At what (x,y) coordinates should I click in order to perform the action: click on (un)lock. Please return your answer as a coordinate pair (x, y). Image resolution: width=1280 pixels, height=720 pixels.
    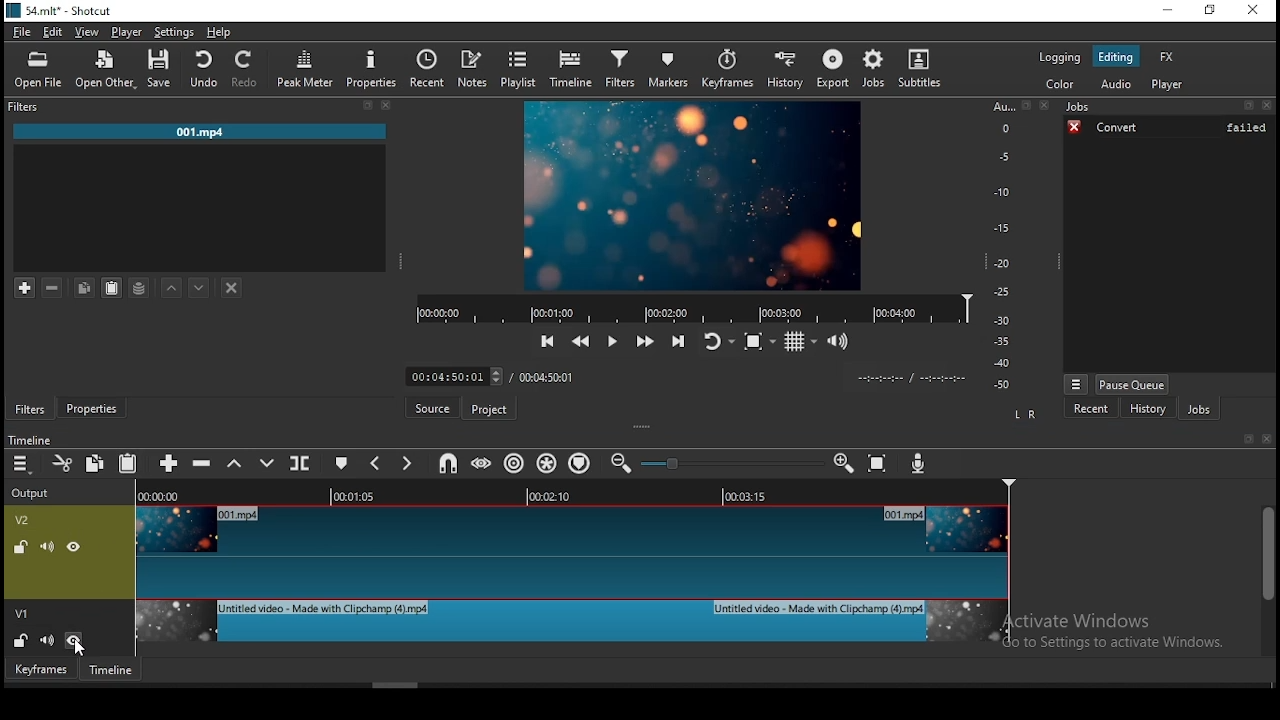
    Looking at the image, I should click on (18, 546).